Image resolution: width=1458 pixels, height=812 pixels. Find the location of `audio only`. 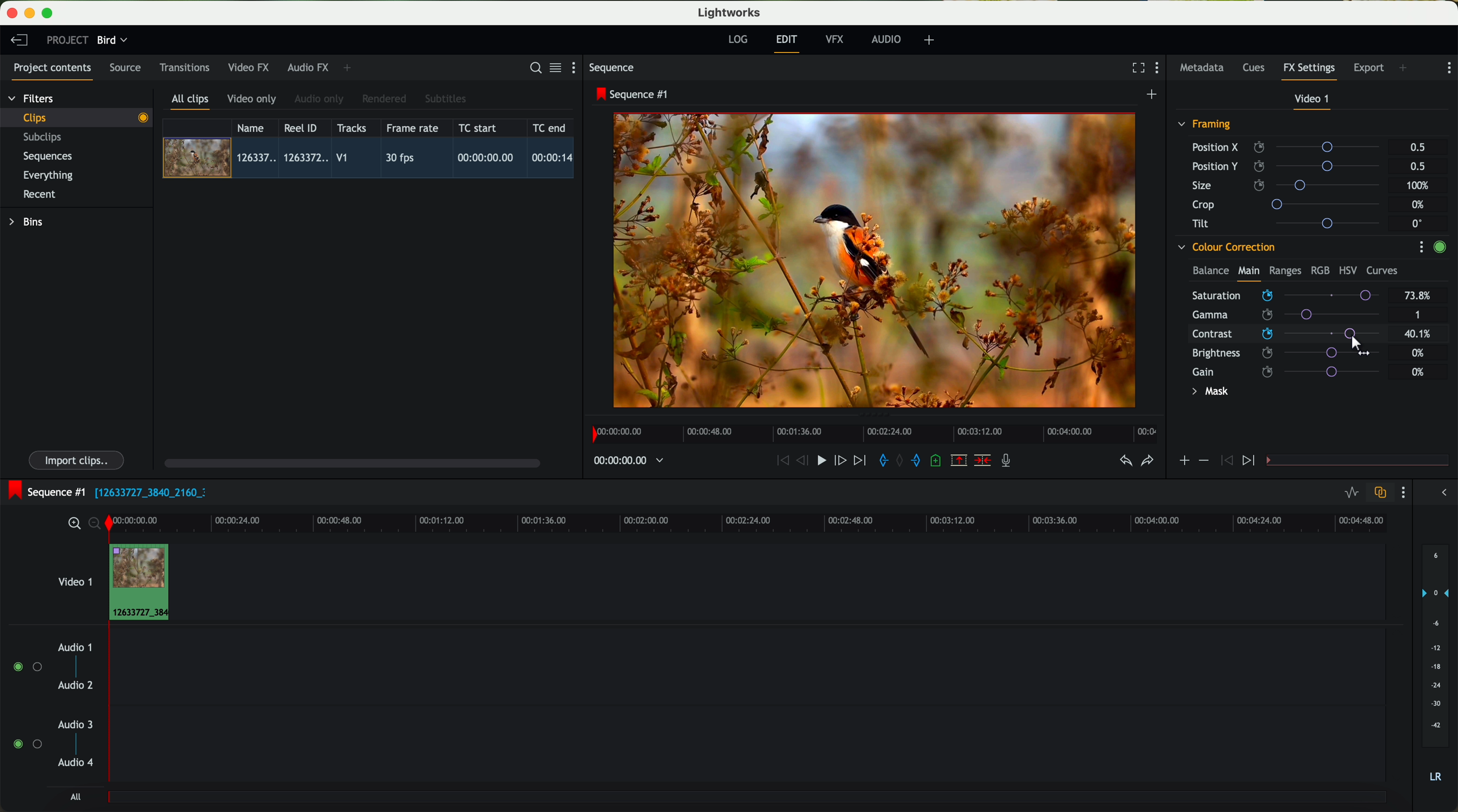

audio only is located at coordinates (320, 99).